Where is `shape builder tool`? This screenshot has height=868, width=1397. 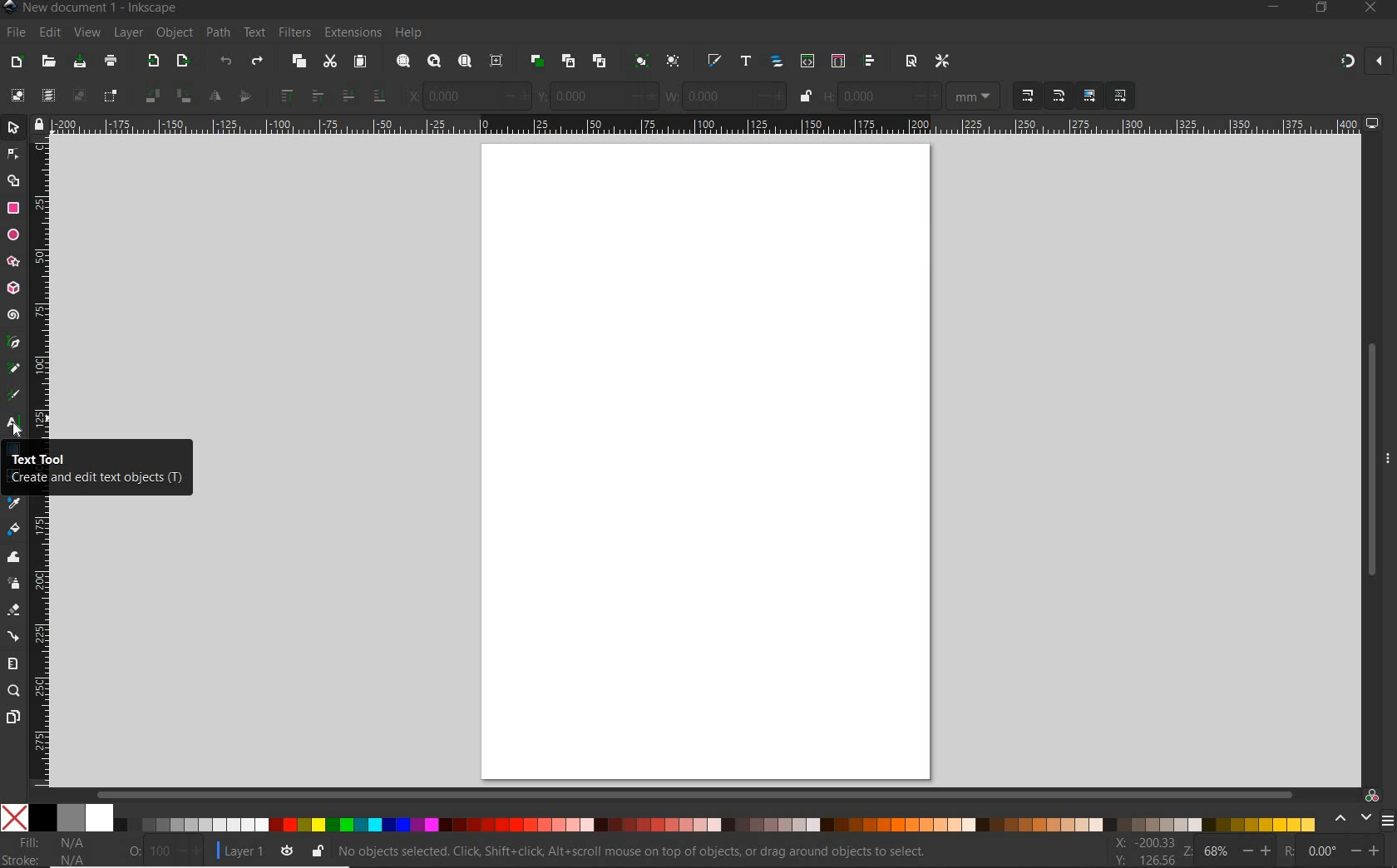 shape builder tool is located at coordinates (13, 180).